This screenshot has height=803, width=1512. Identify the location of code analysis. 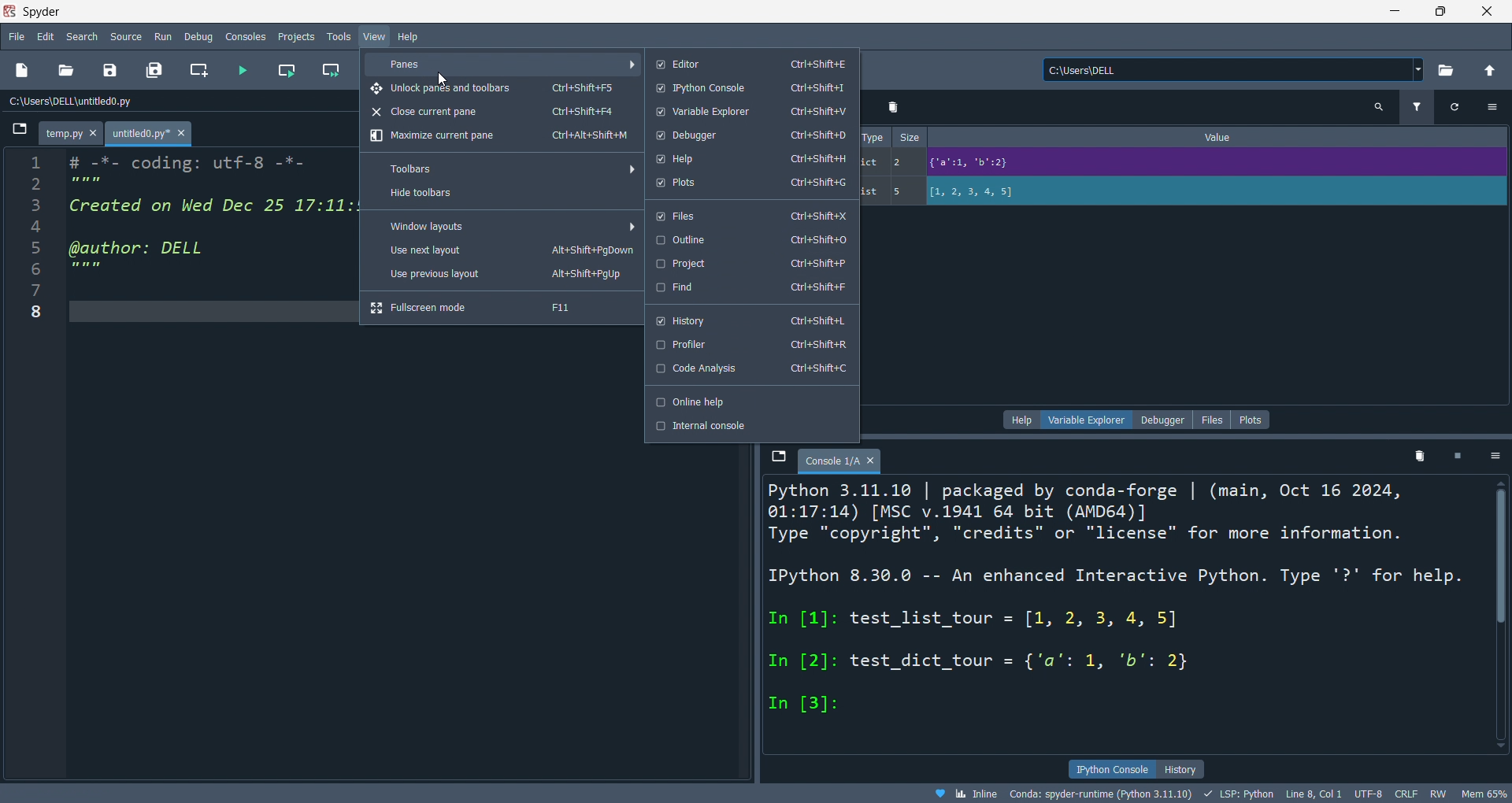
(750, 371).